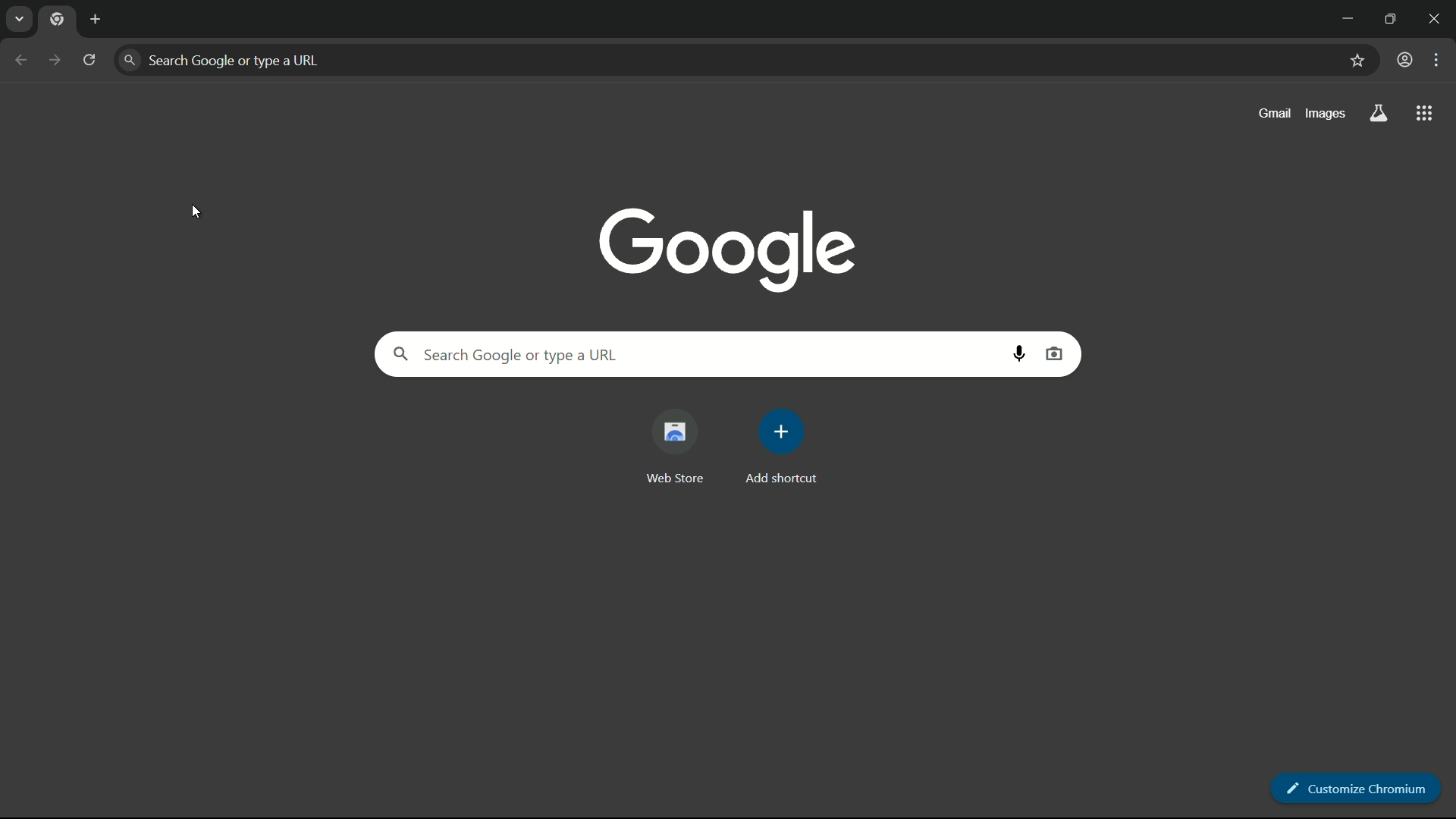 This screenshot has height=819, width=1456. I want to click on go back, so click(20, 59).